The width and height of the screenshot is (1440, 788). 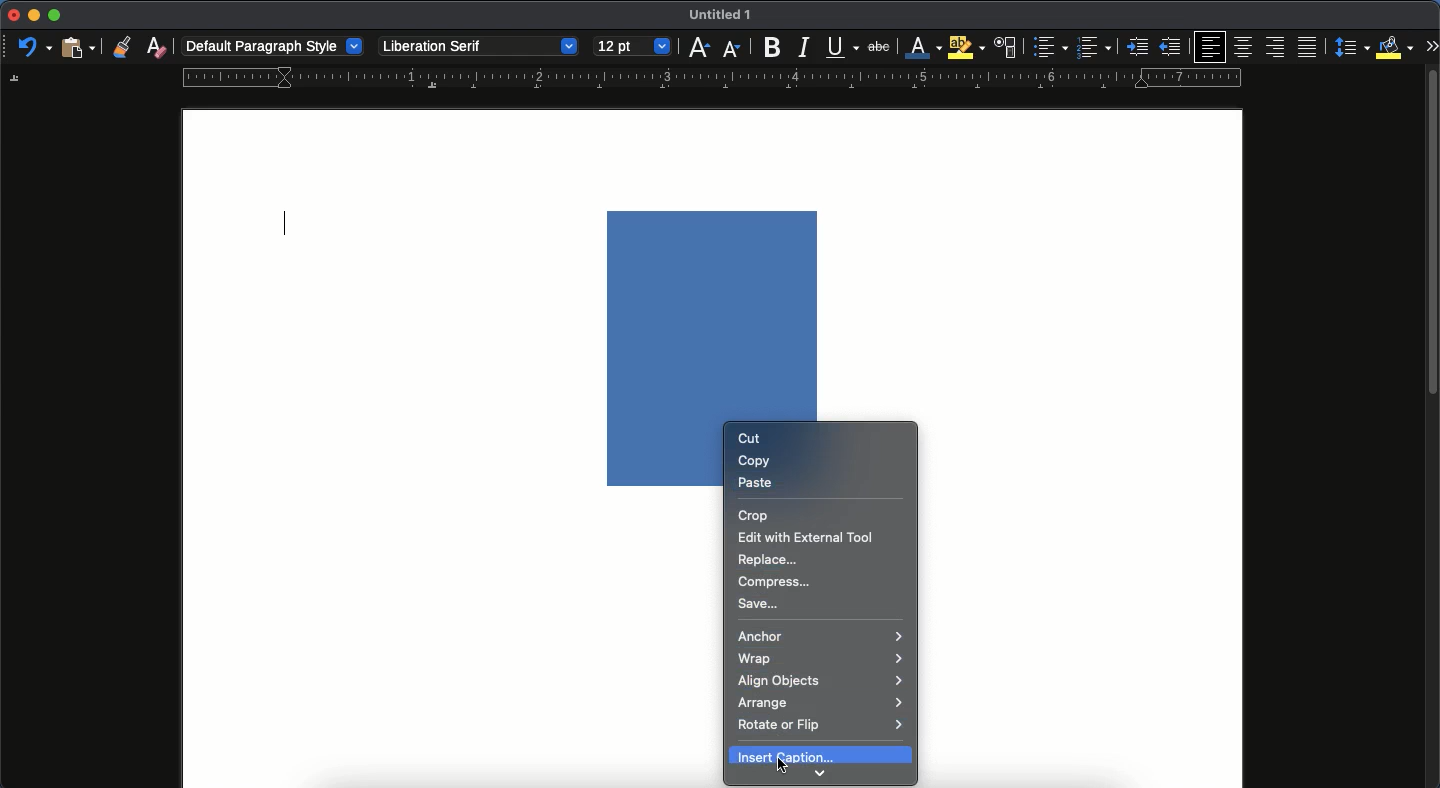 What do you see at coordinates (806, 537) in the screenshot?
I see `edit with external tool` at bounding box center [806, 537].